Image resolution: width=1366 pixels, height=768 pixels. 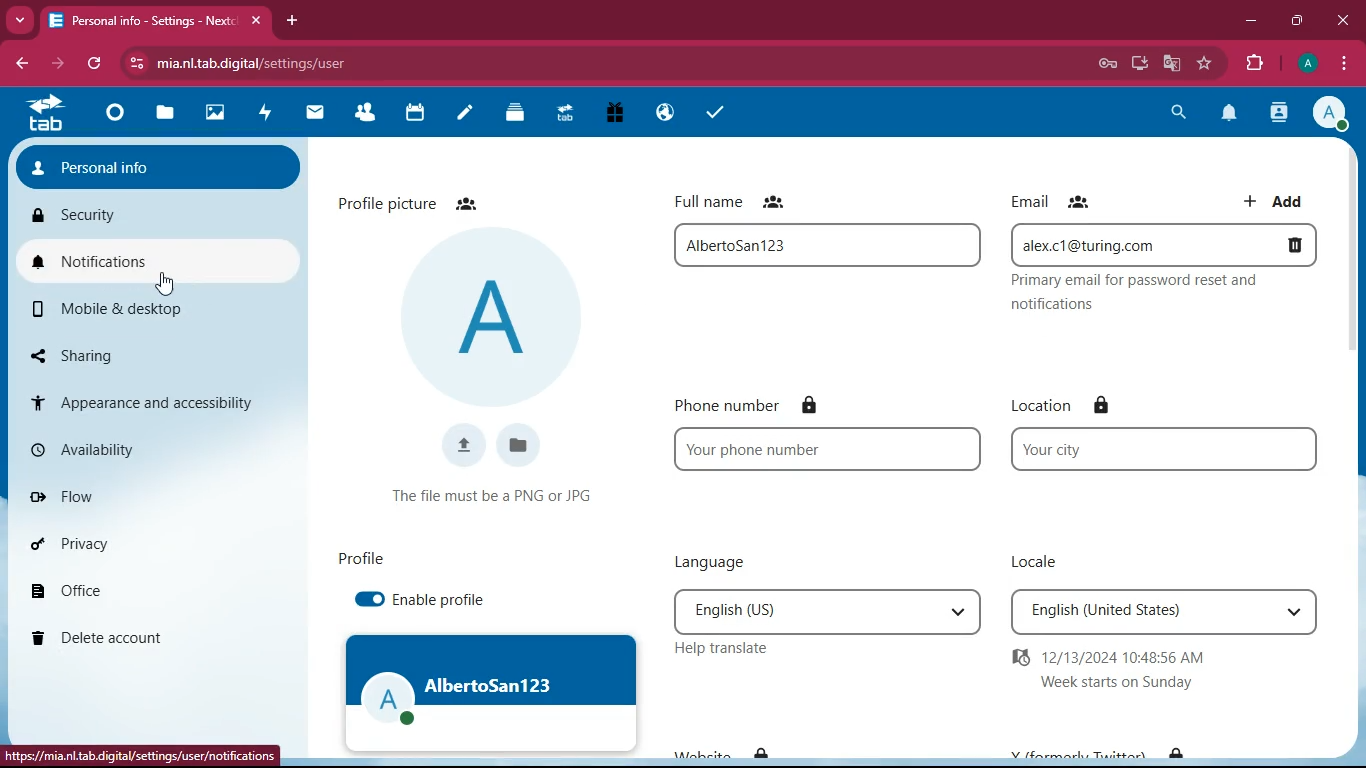 What do you see at coordinates (1295, 22) in the screenshot?
I see `maximize` at bounding box center [1295, 22].